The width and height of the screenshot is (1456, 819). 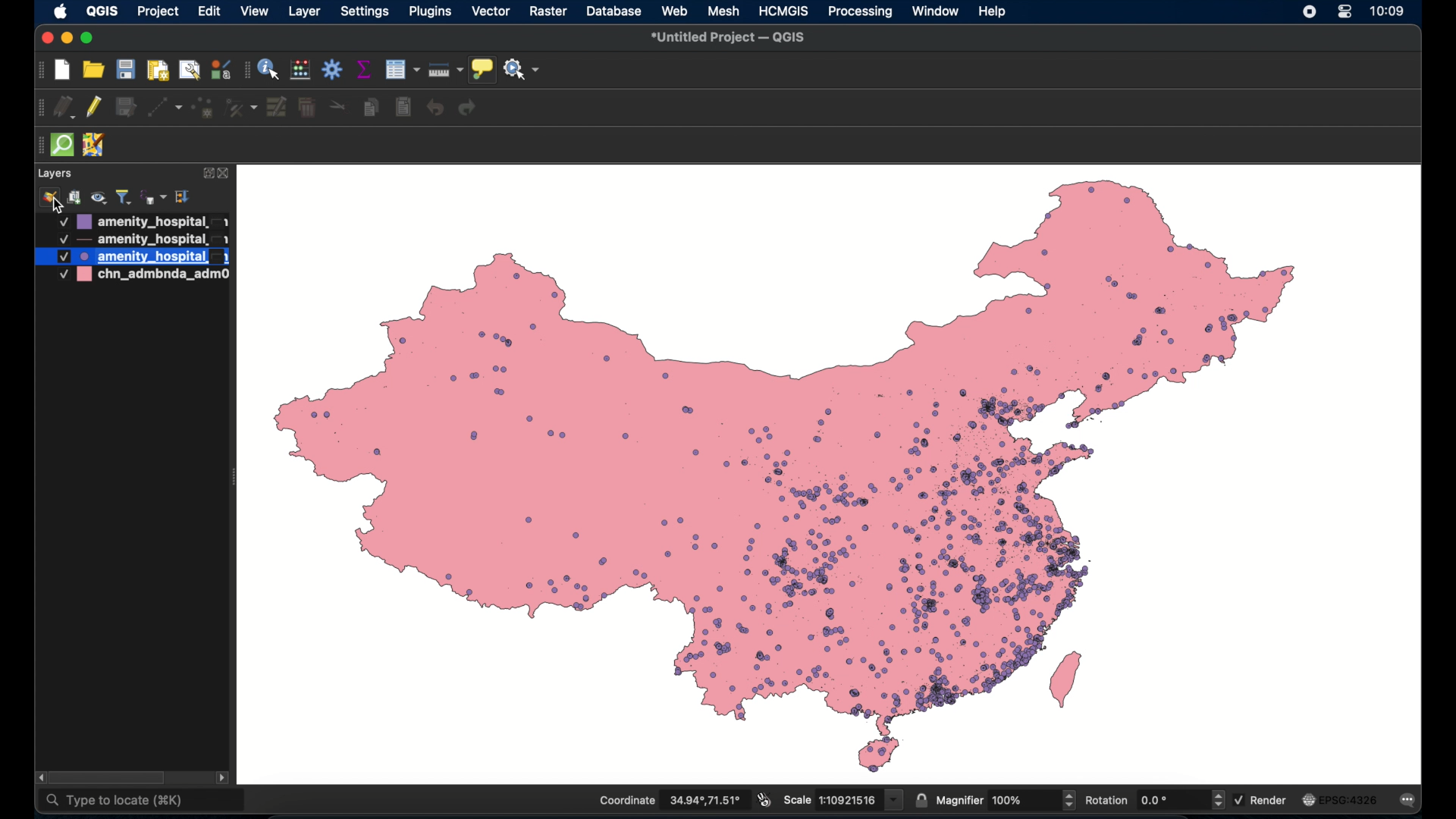 What do you see at coordinates (142, 221) in the screenshot?
I see `layer 1` at bounding box center [142, 221].